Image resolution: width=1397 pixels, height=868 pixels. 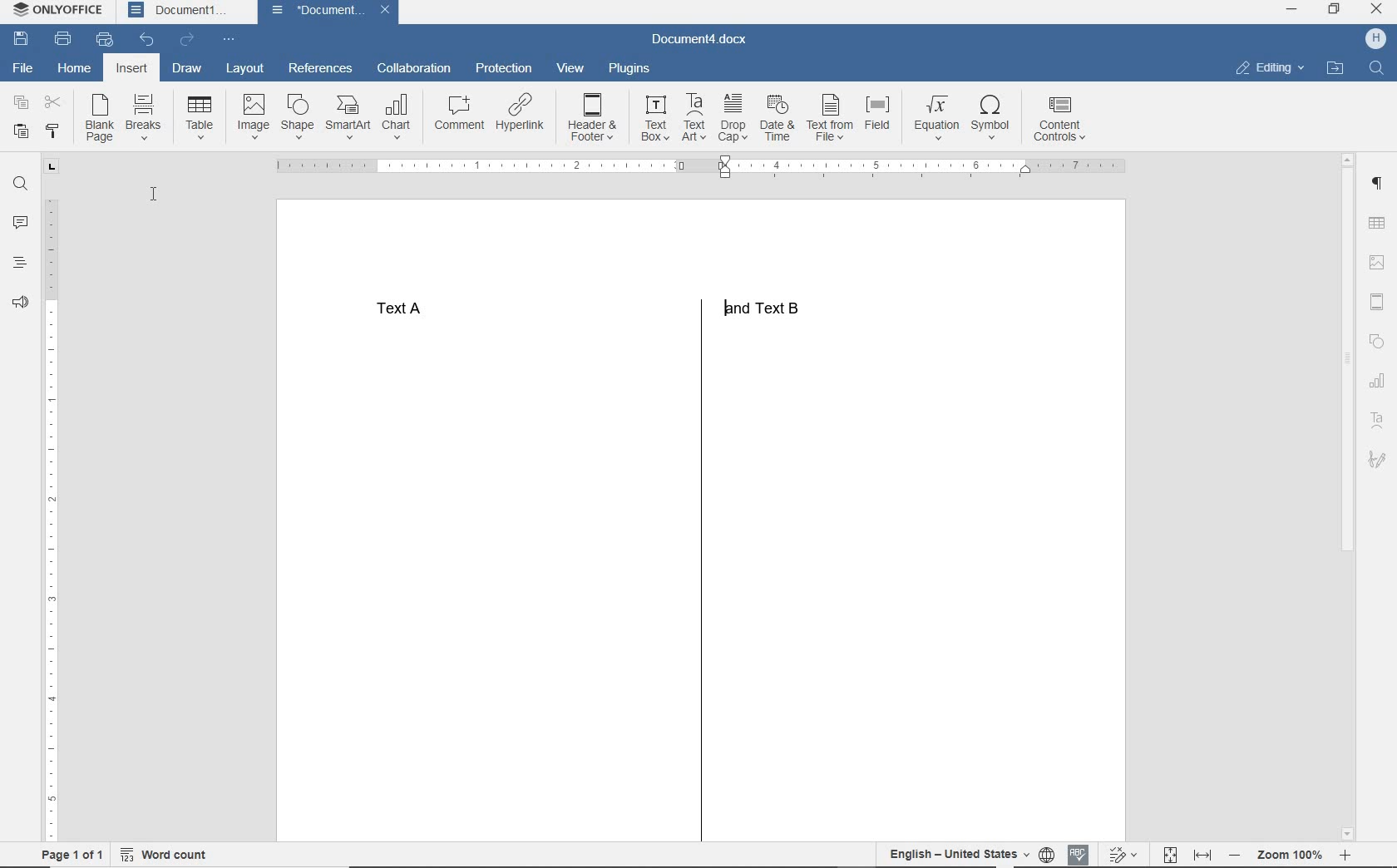 What do you see at coordinates (173, 852) in the screenshot?
I see `WORD COUNT` at bounding box center [173, 852].